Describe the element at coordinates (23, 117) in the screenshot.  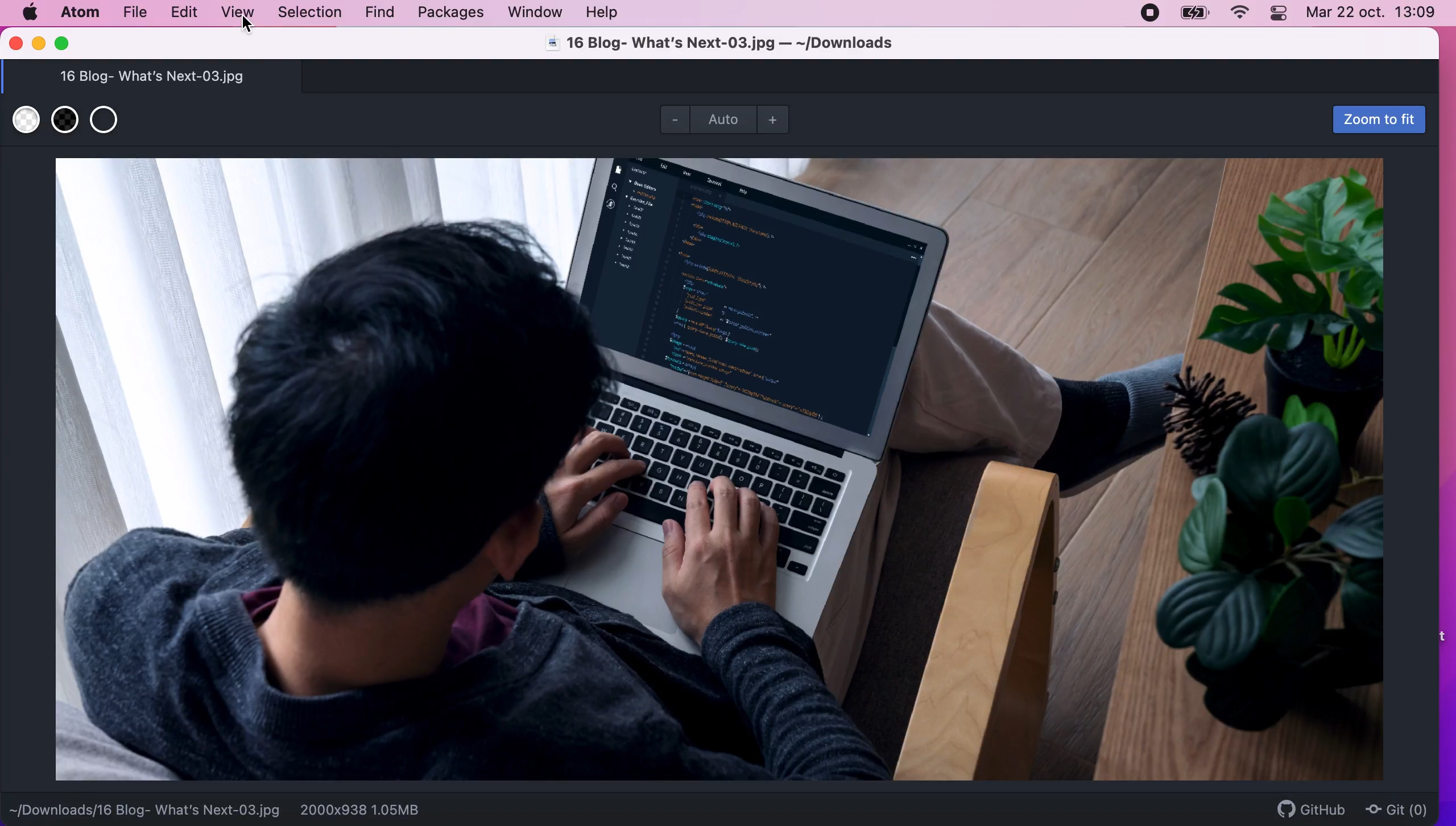
I see `use white transparent background` at that location.